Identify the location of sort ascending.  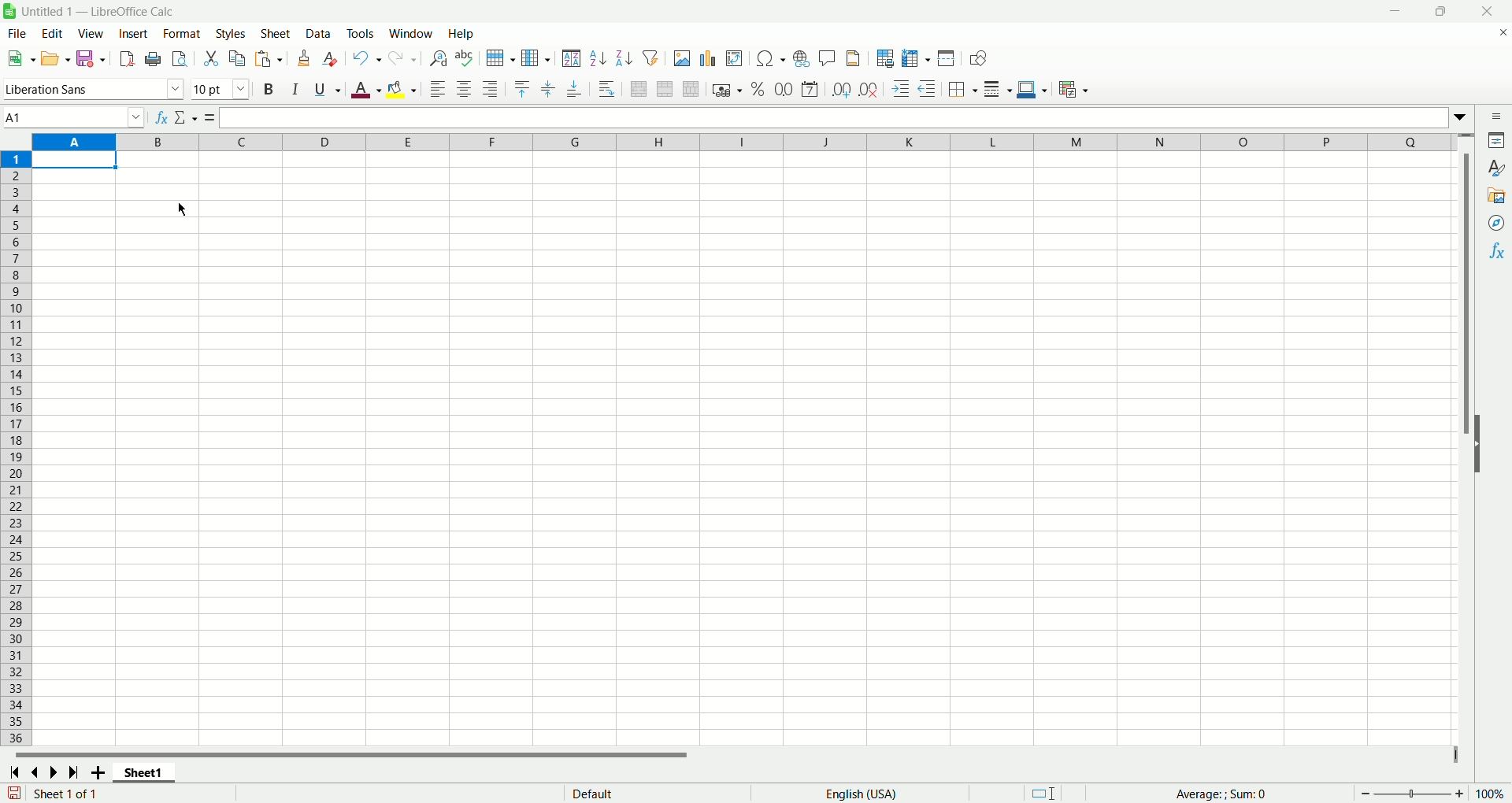
(598, 60).